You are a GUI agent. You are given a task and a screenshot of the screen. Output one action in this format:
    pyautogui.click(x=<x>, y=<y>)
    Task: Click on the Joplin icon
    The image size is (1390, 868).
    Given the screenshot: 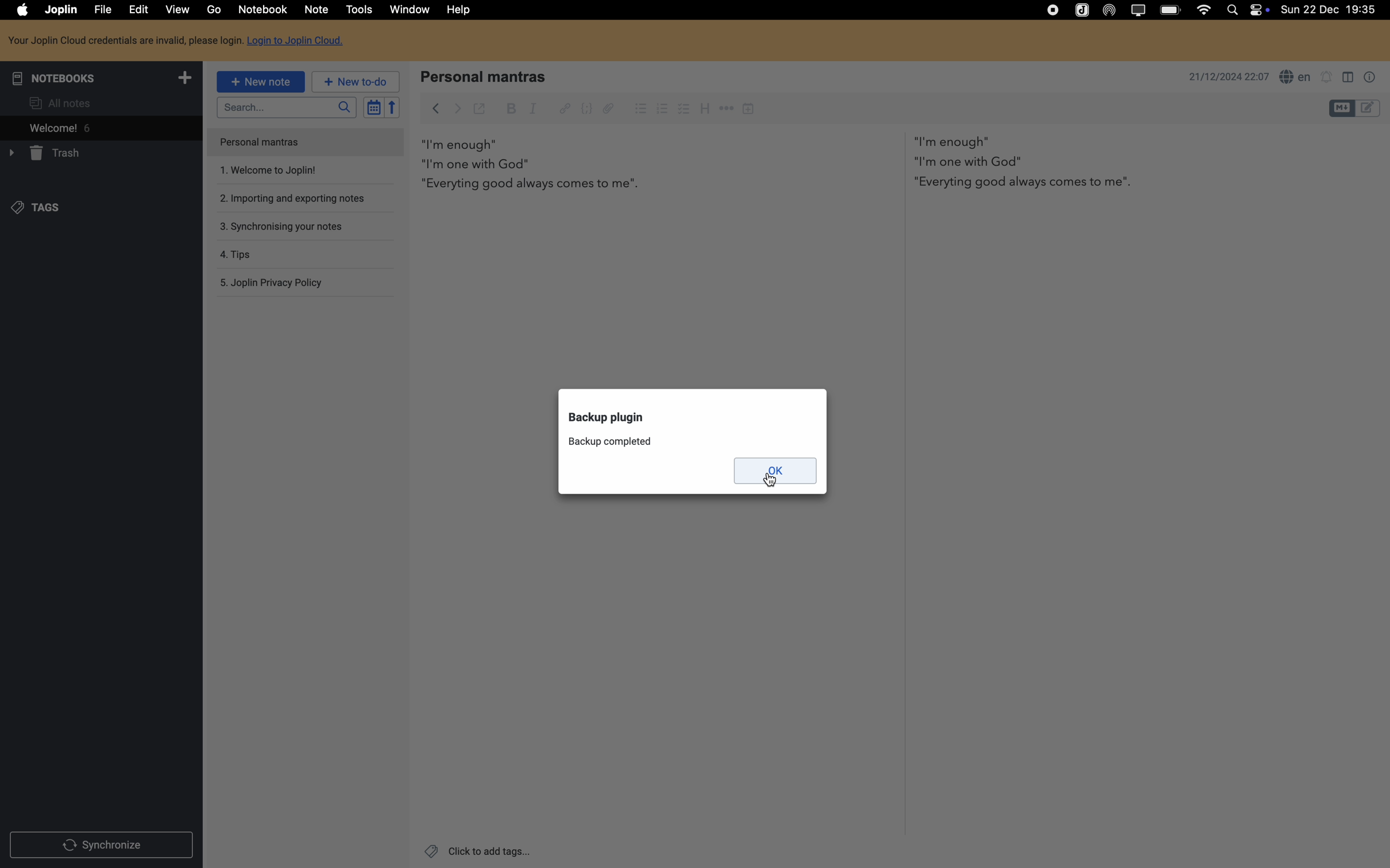 What is the action you would take?
    pyautogui.click(x=1082, y=10)
    